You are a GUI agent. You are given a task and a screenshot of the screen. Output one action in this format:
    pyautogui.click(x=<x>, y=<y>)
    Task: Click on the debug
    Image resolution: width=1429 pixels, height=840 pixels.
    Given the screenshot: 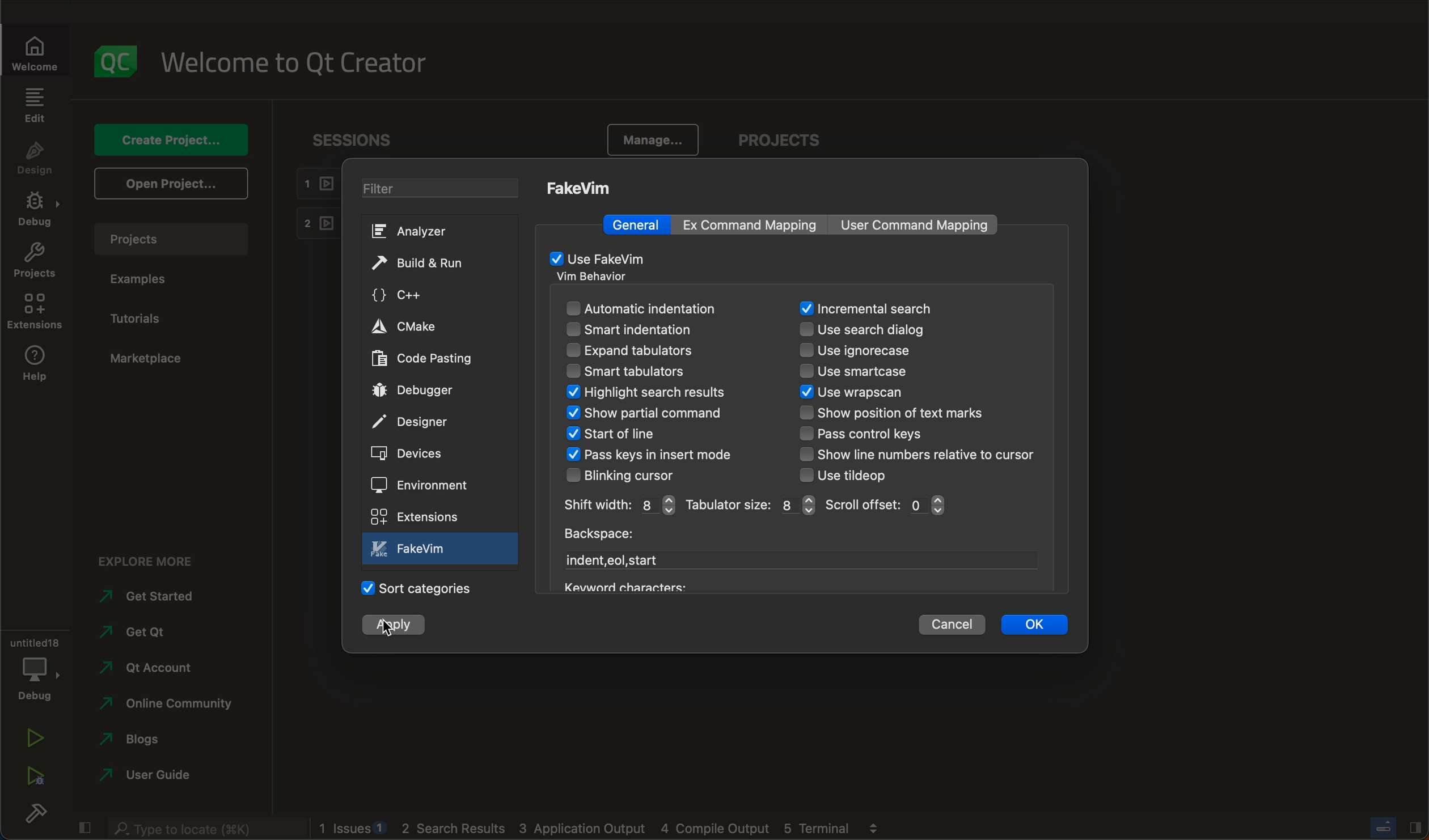 What is the action you would take?
    pyautogui.click(x=37, y=207)
    